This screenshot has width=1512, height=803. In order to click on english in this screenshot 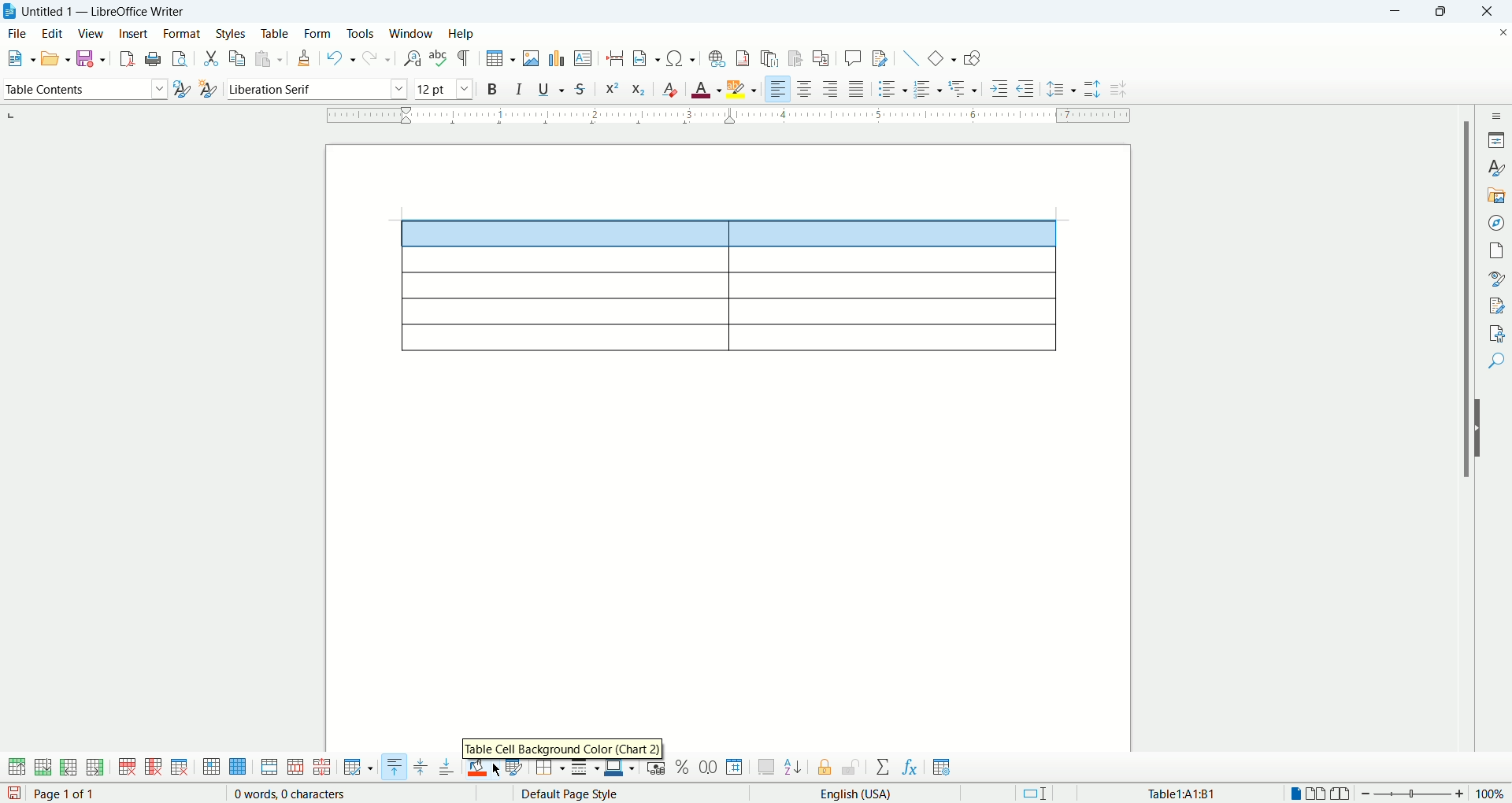, I will do `click(891, 794)`.